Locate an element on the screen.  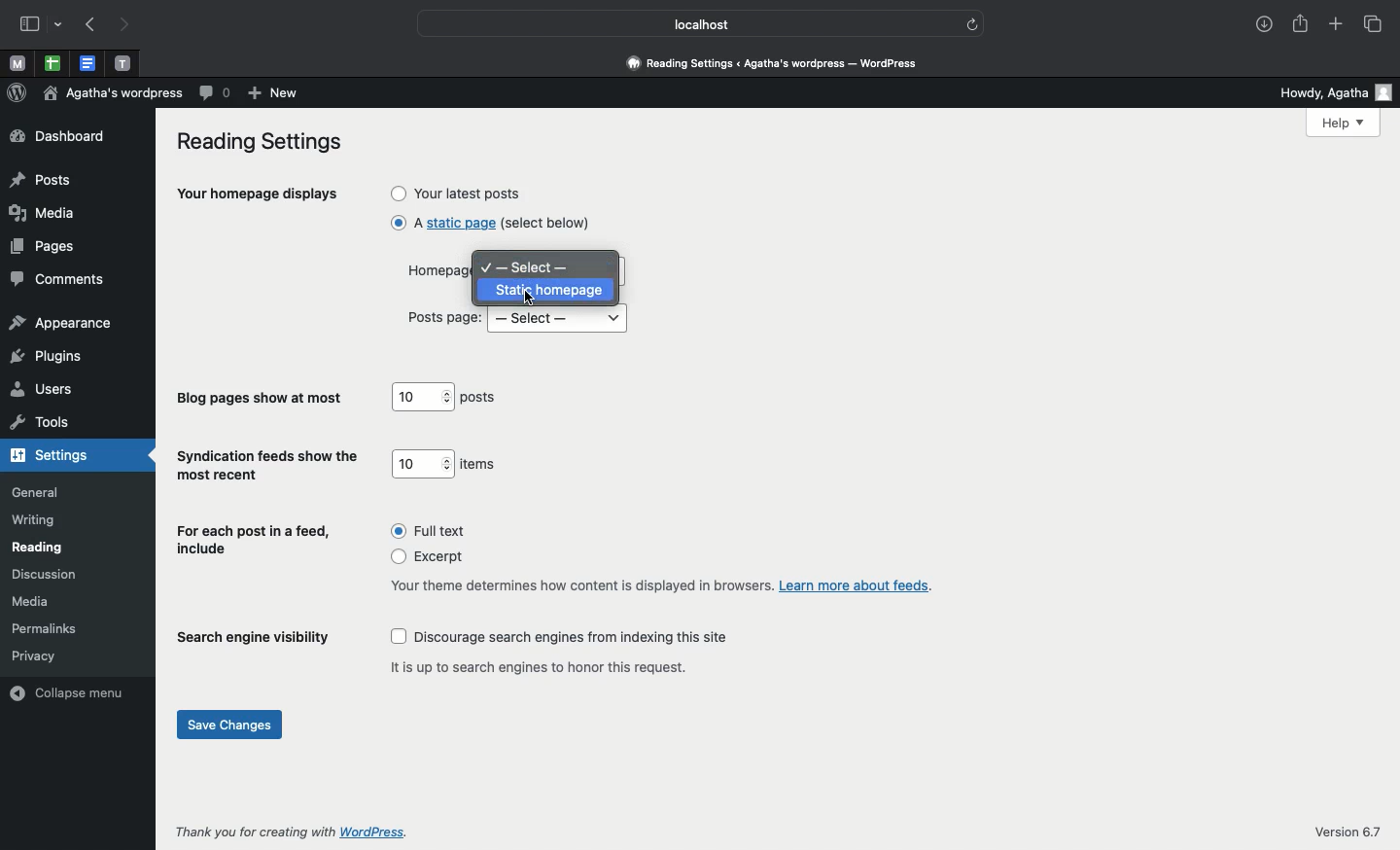
Next page is located at coordinates (127, 26).